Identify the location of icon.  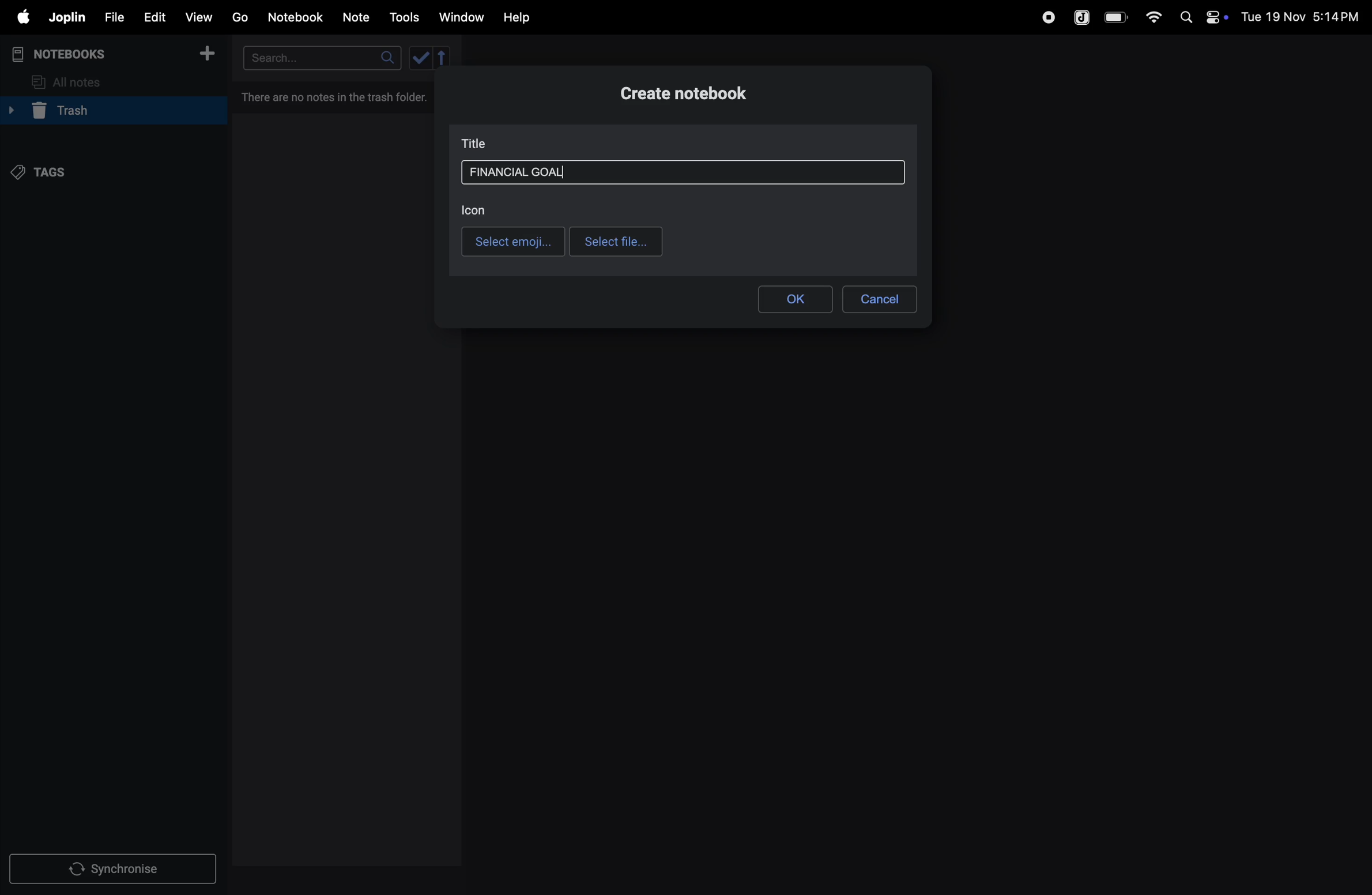
(480, 209).